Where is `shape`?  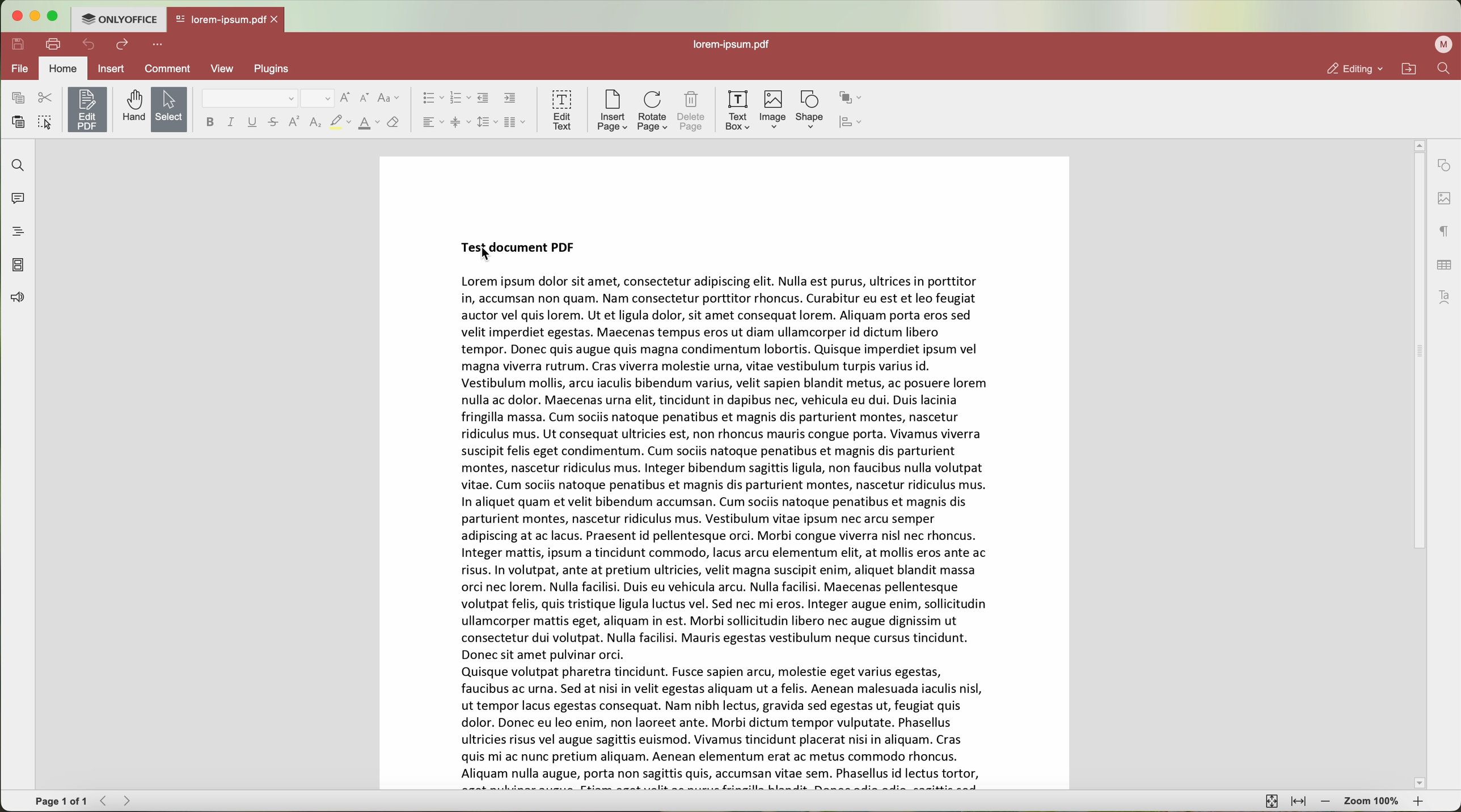
shape is located at coordinates (810, 111).